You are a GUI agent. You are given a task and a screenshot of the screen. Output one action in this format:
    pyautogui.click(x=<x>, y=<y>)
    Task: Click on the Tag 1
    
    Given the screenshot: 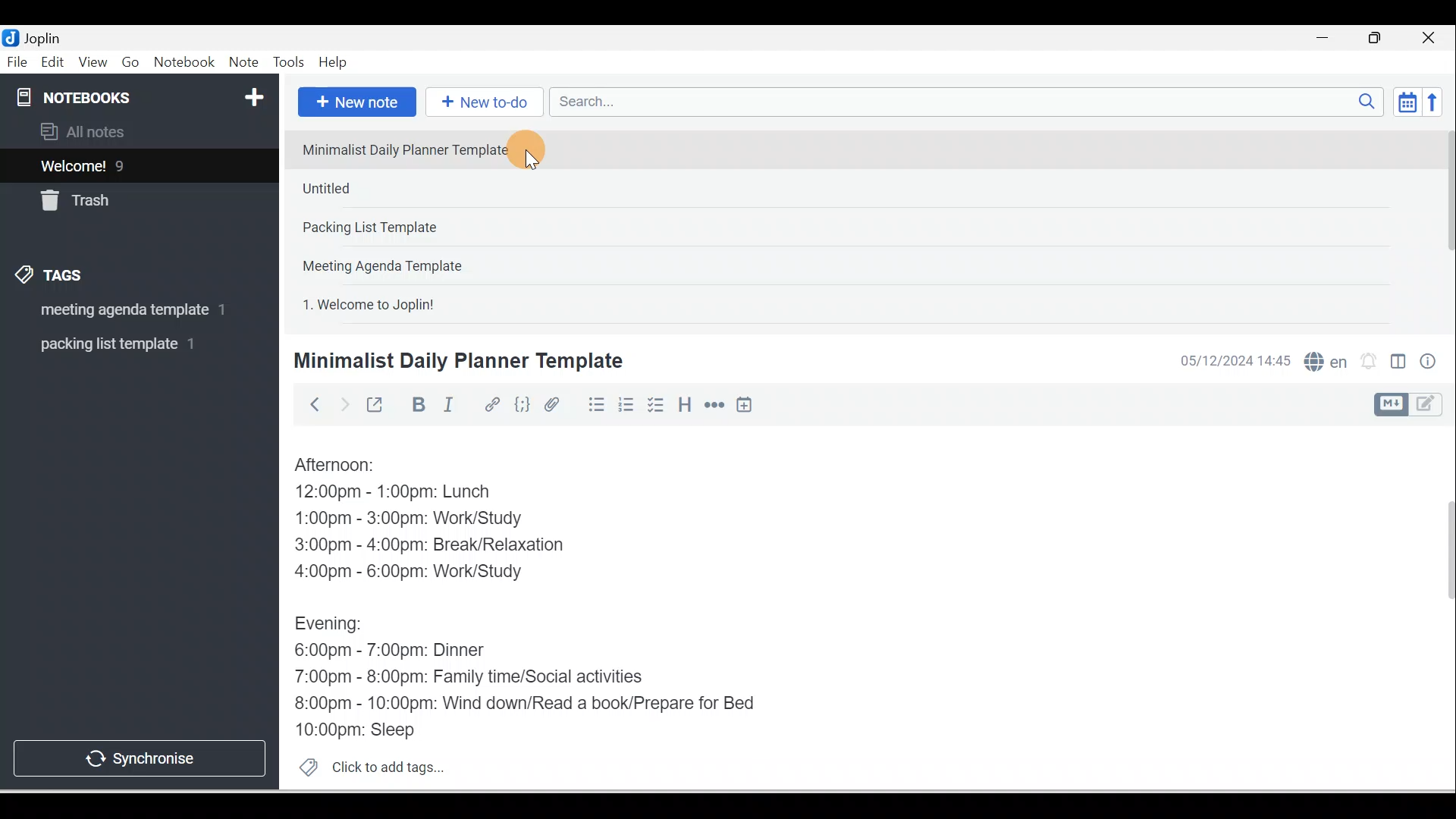 What is the action you would take?
    pyautogui.click(x=119, y=311)
    